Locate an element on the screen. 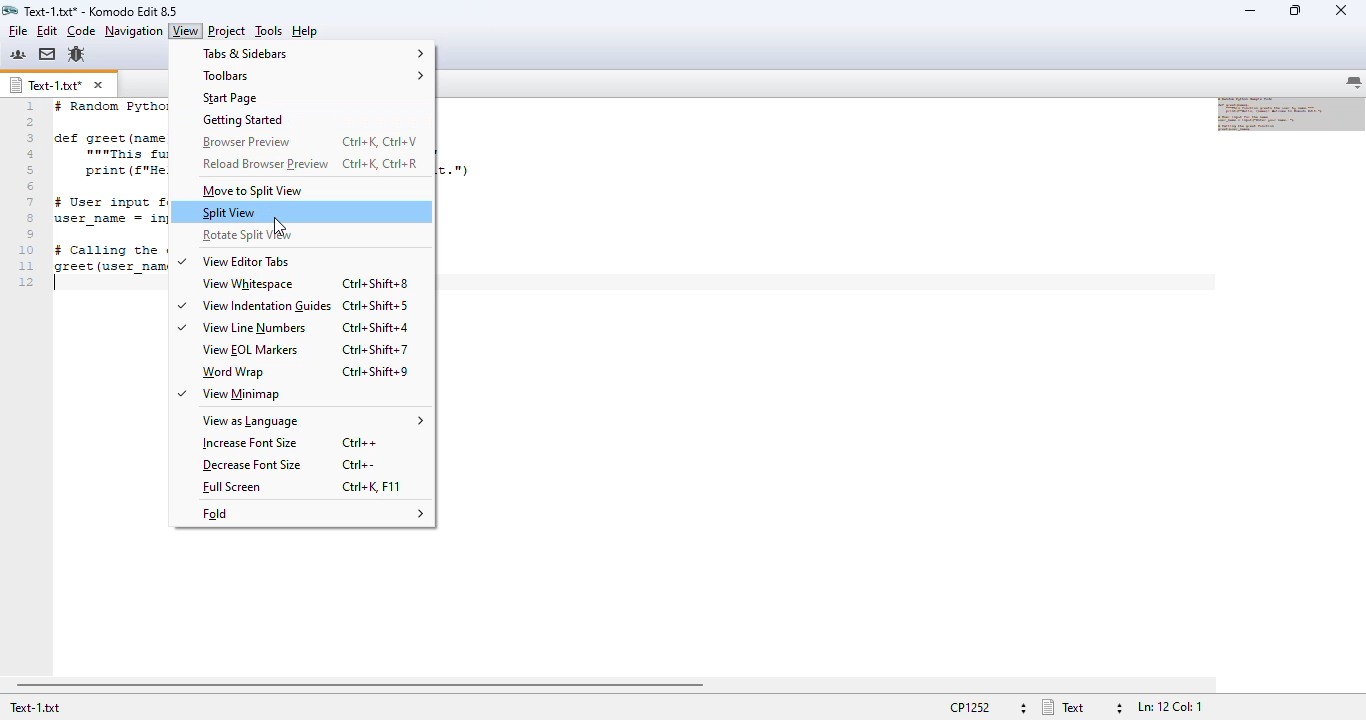  komodo email lists is located at coordinates (47, 54).